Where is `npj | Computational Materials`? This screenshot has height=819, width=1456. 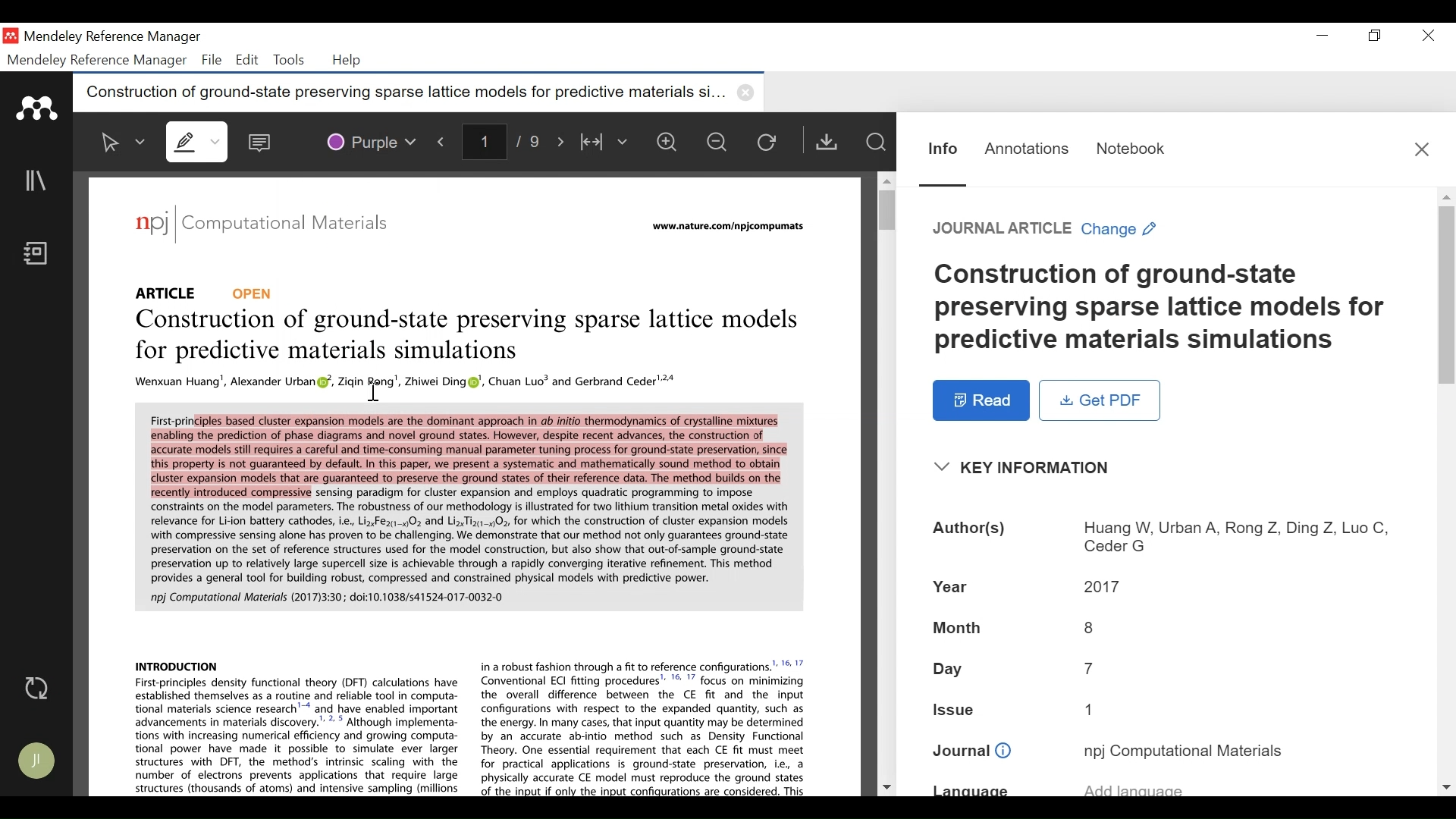
npj | Computational Materials is located at coordinates (262, 225).